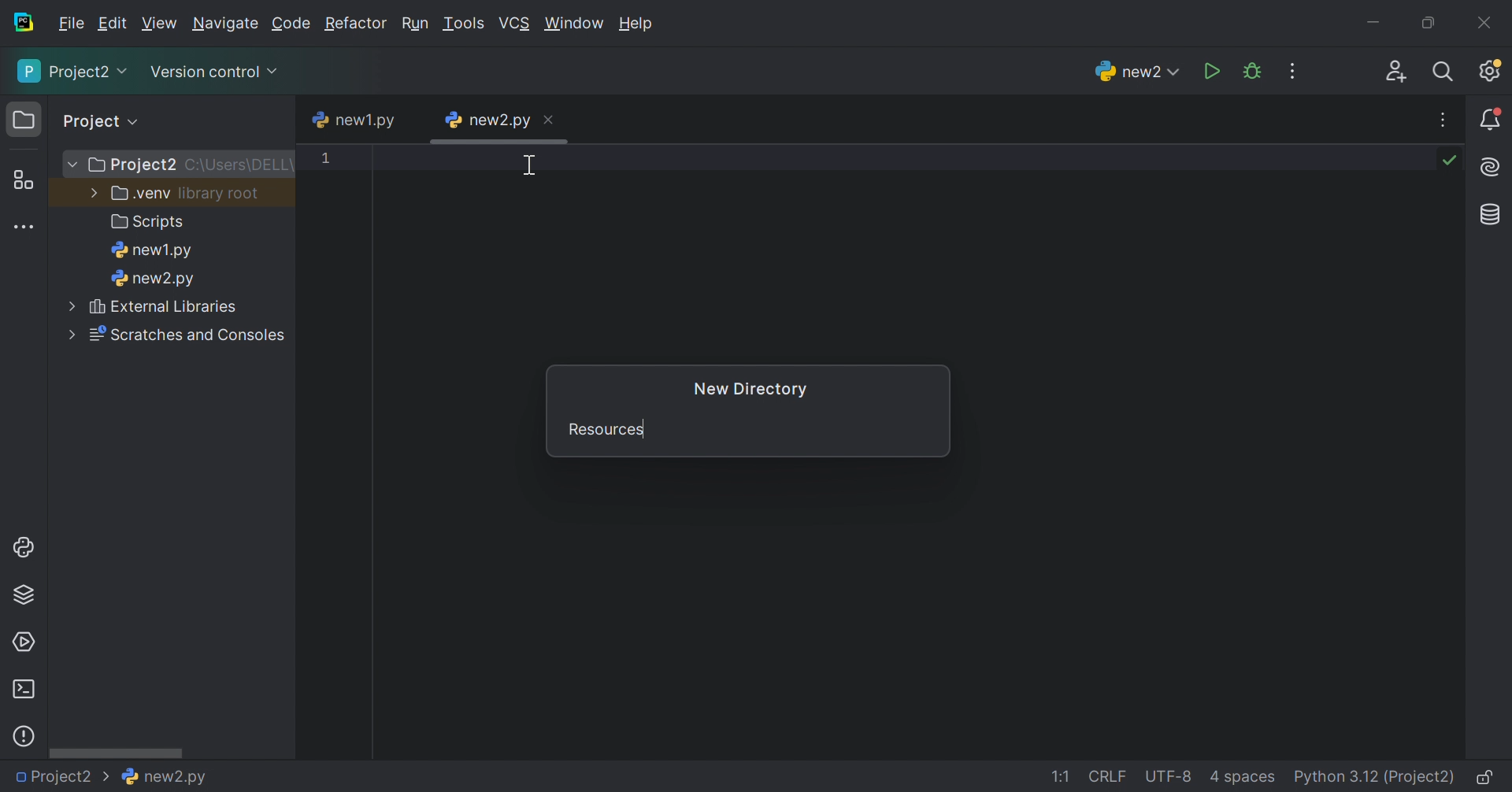 Image resolution: width=1512 pixels, height=792 pixels. What do you see at coordinates (1493, 119) in the screenshot?
I see `Notifications` at bounding box center [1493, 119].